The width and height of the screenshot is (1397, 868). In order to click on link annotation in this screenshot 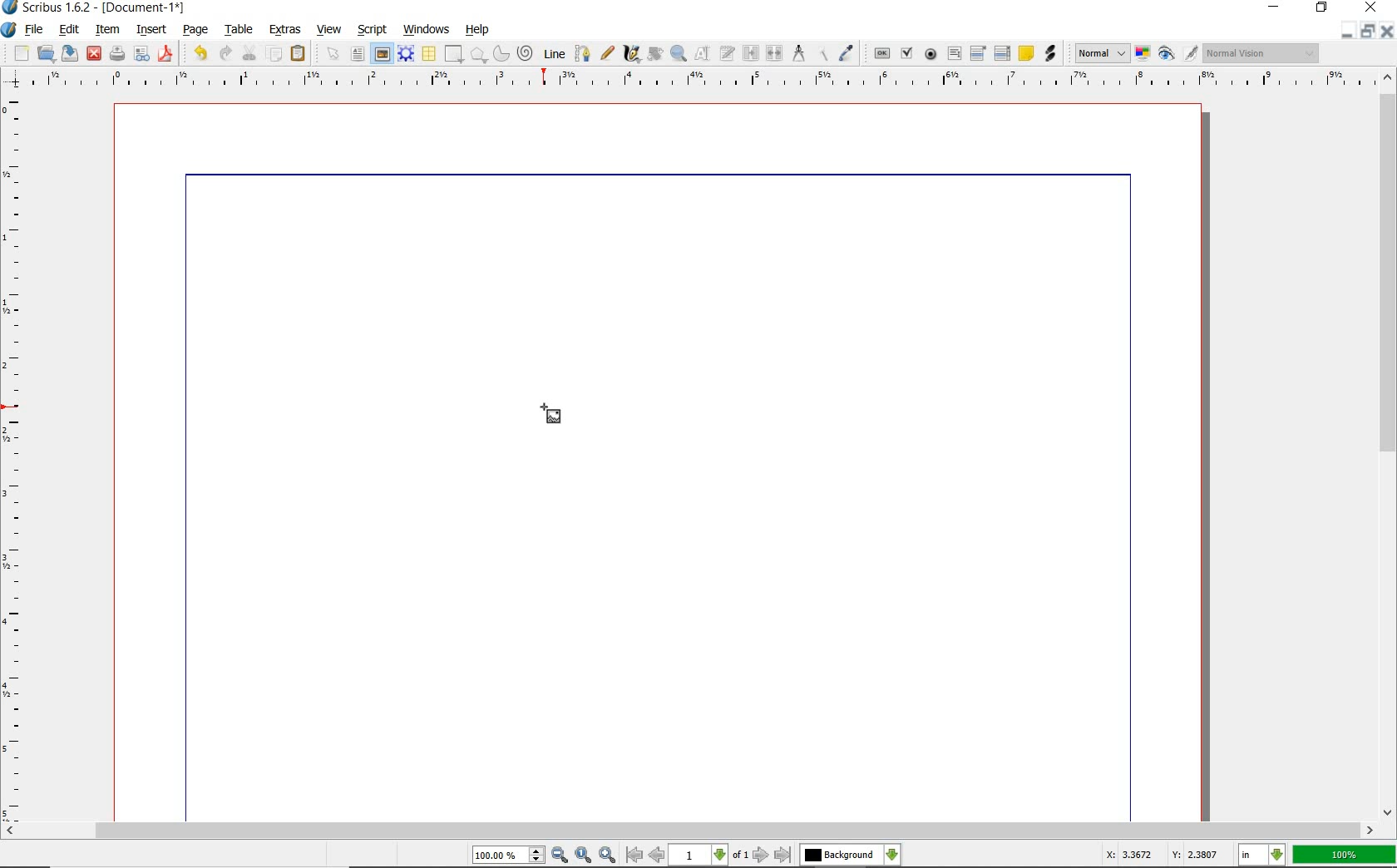, I will do `click(1050, 55)`.